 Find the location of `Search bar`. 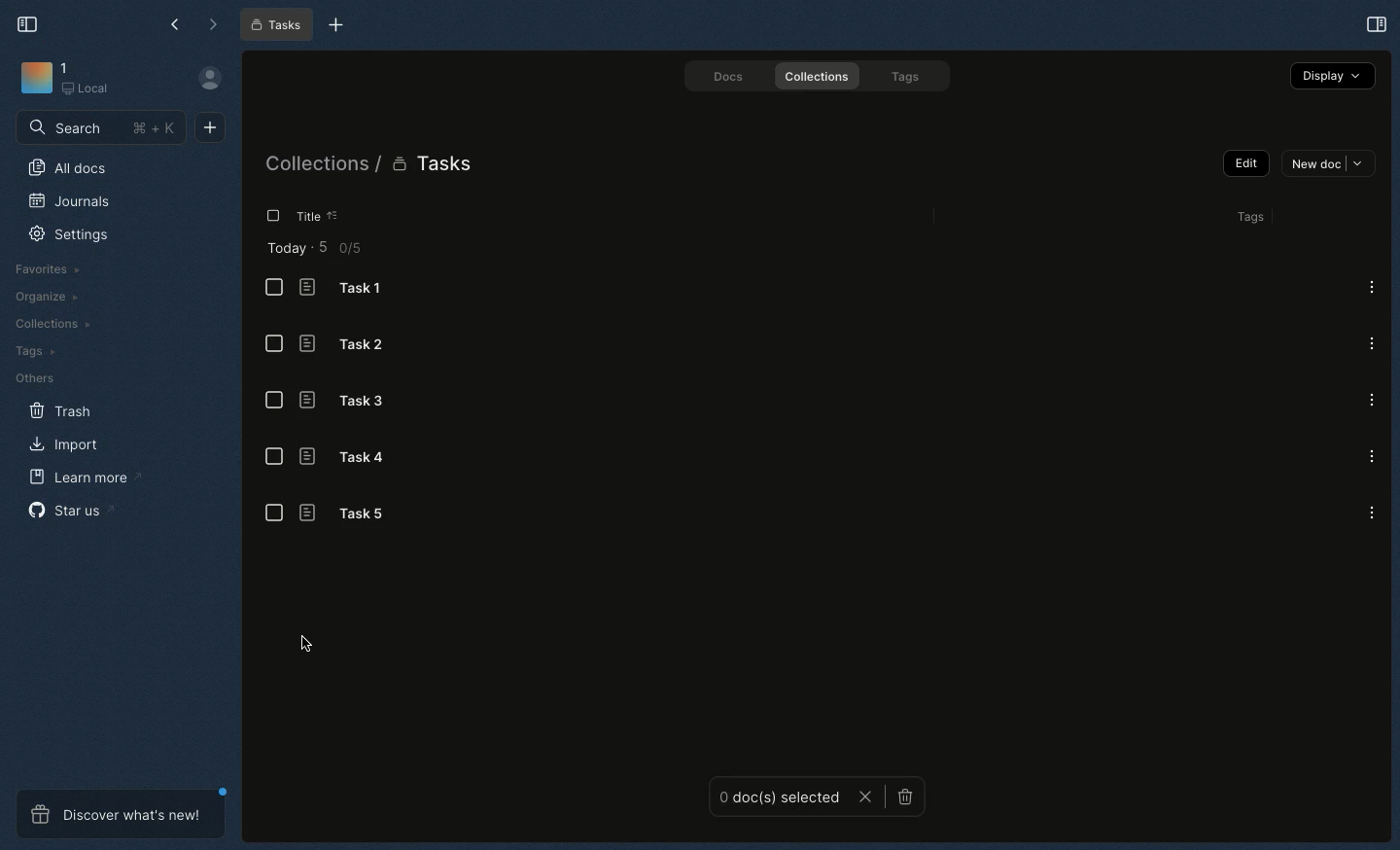

Search bar is located at coordinates (101, 126).